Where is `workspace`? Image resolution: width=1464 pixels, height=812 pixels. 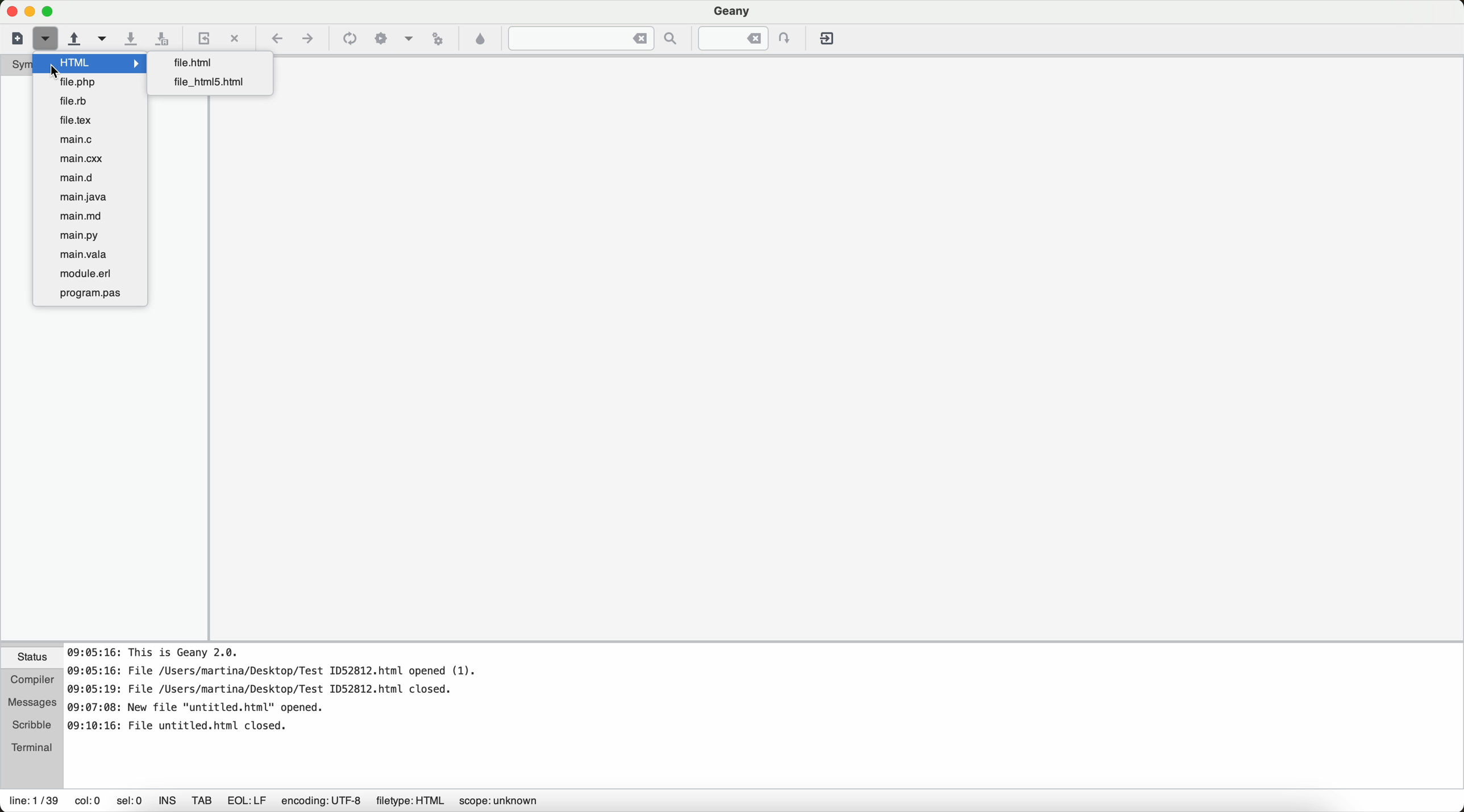 workspace is located at coordinates (839, 382).